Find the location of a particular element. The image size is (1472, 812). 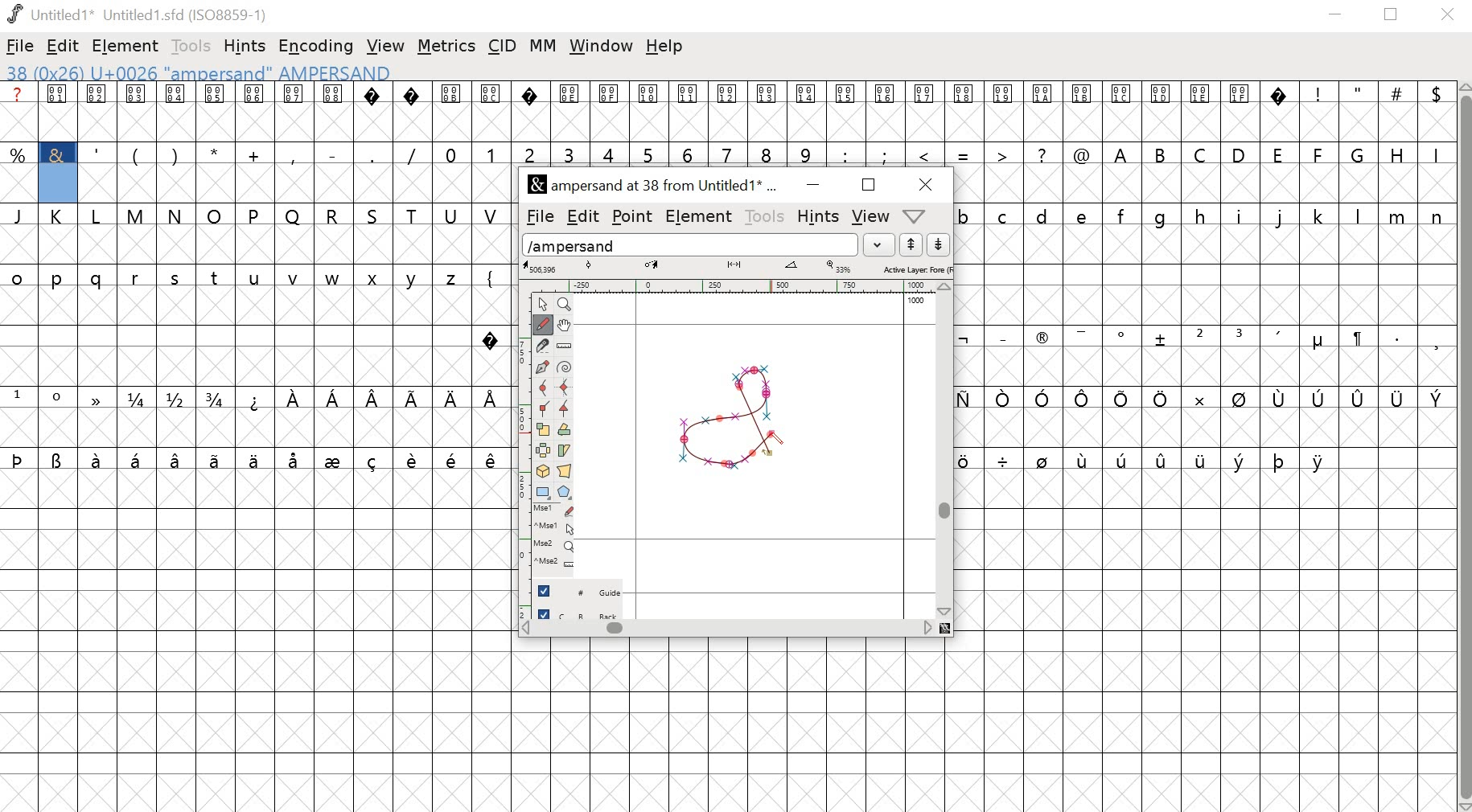

V is located at coordinates (492, 214).